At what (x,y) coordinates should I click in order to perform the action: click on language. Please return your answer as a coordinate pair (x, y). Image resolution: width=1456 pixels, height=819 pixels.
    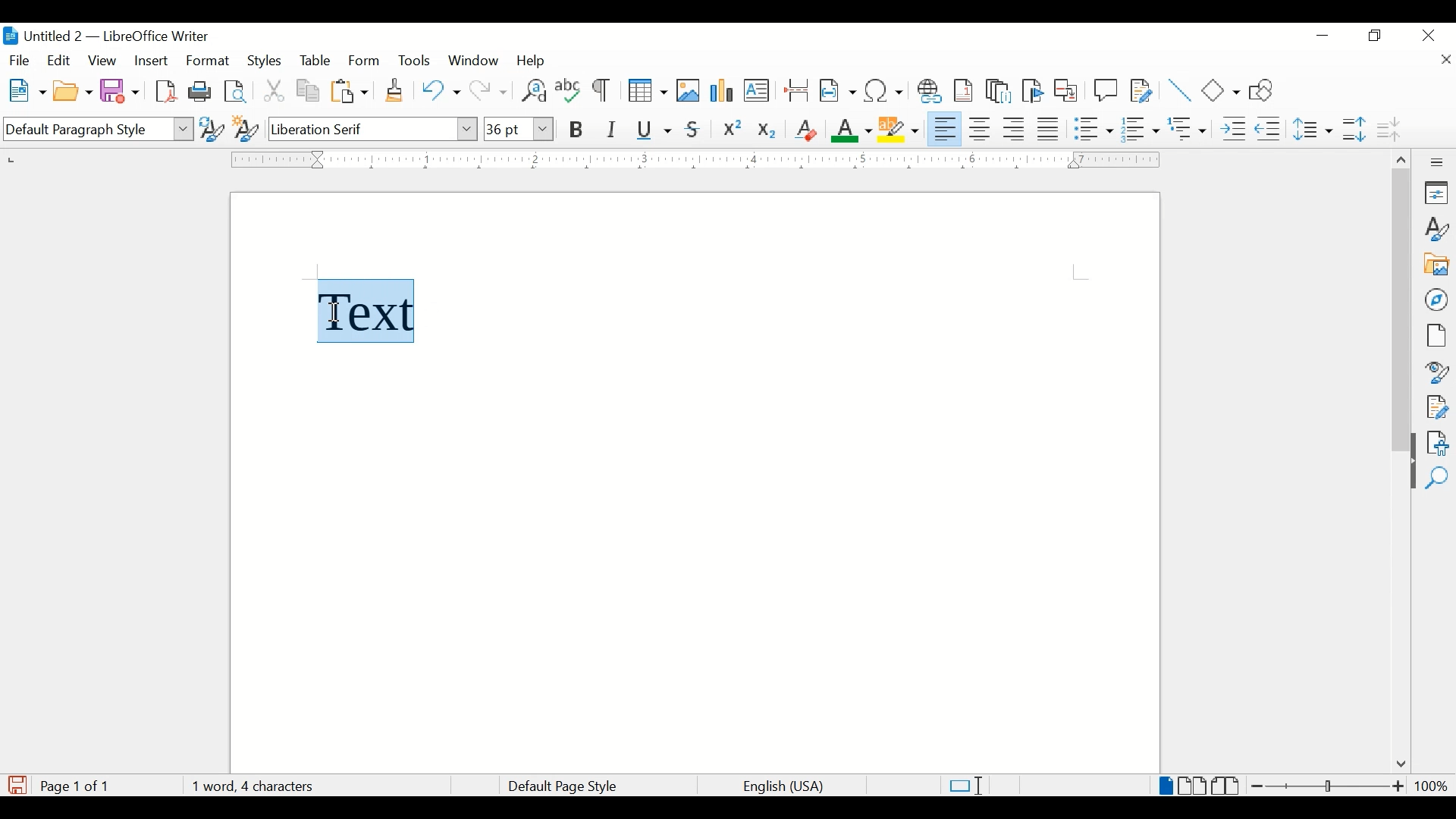
    Looking at the image, I should click on (785, 787).